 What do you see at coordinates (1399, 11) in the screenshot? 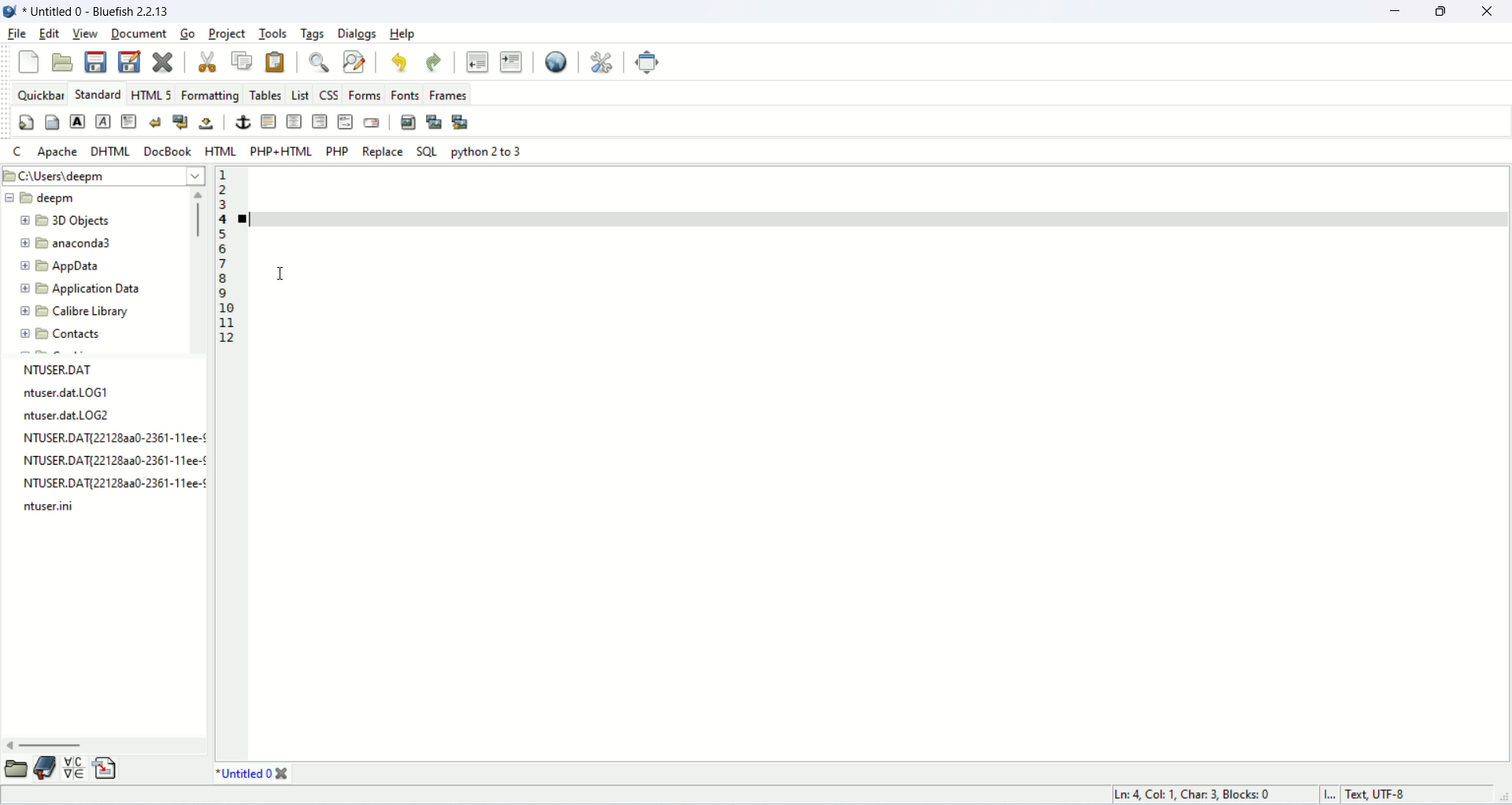
I see `minimize` at bounding box center [1399, 11].